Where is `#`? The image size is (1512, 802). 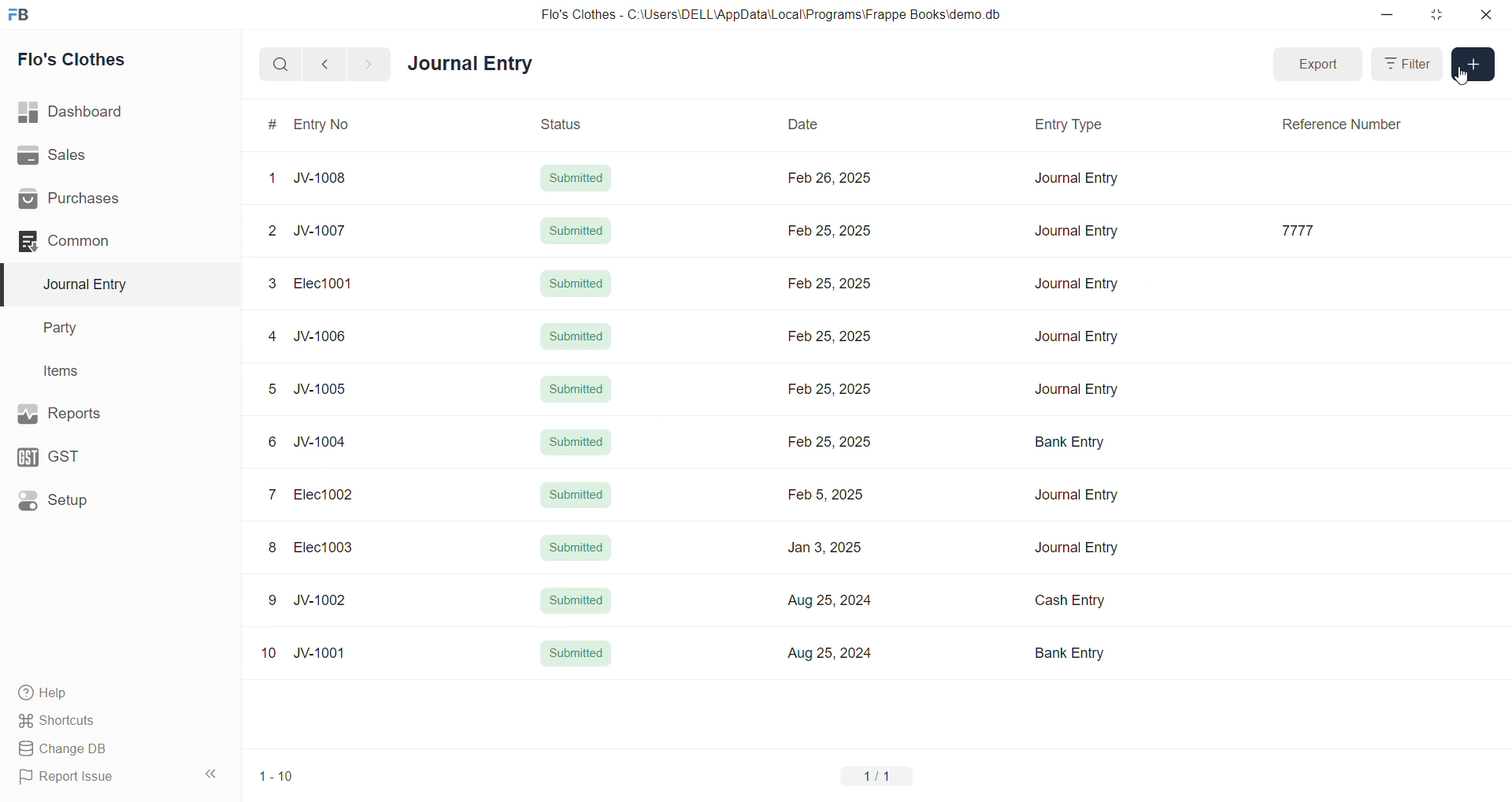
# is located at coordinates (272, 124).